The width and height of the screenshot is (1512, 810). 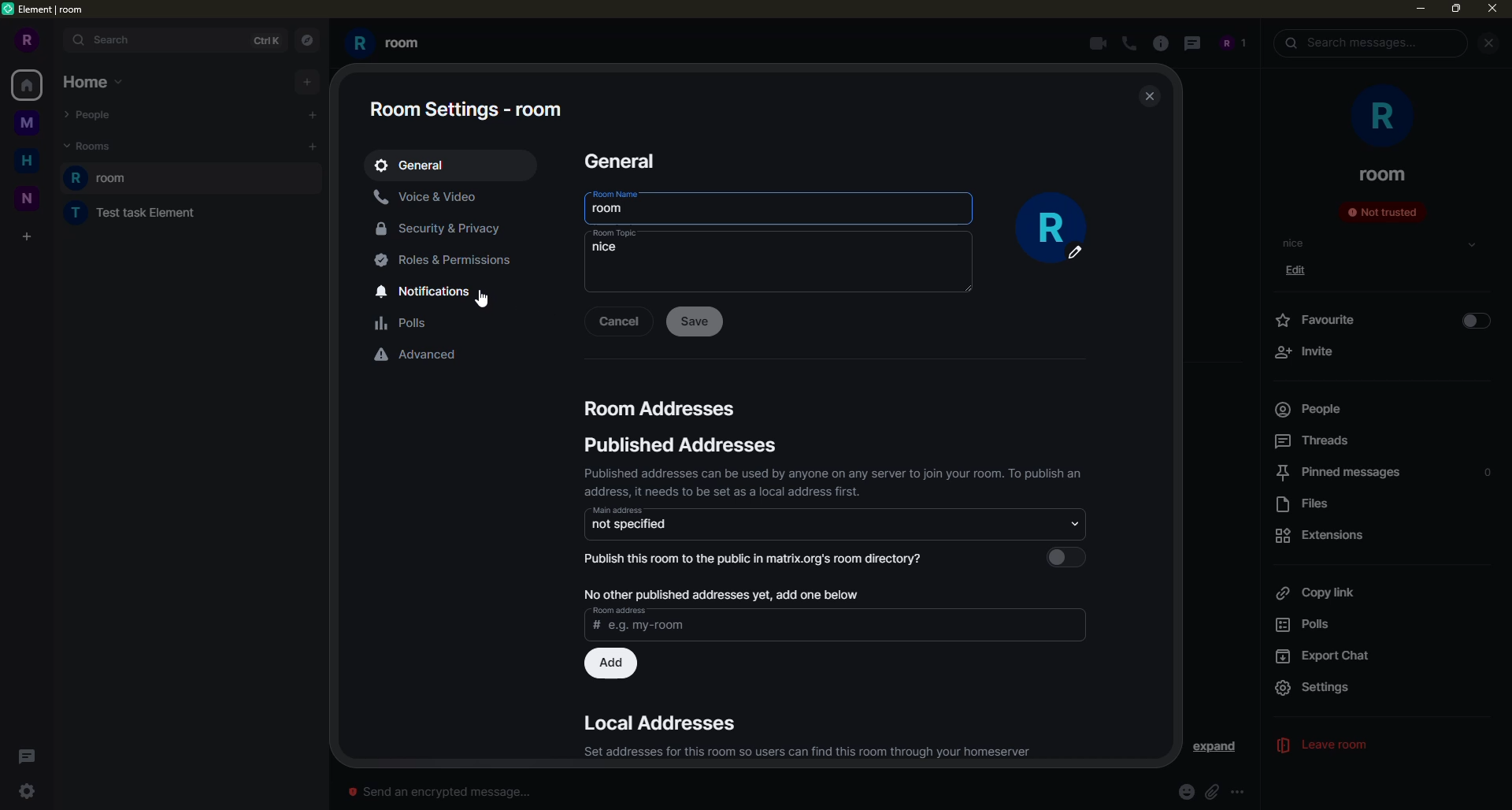 I want to click on options, so click(x=1240, y=790).